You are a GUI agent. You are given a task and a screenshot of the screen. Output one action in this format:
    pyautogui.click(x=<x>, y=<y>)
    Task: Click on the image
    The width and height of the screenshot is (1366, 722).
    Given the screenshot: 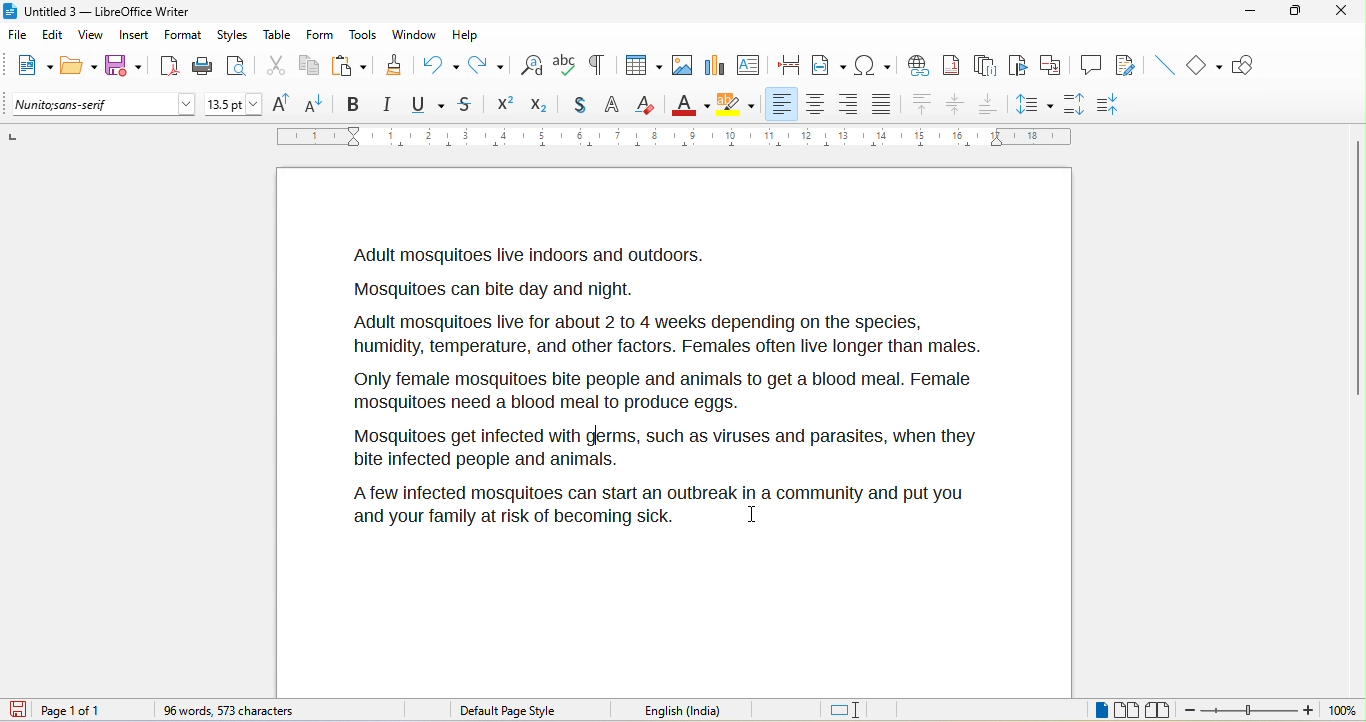 What is the action you would take?
    pyautogui.click(x=680, y=67)
    